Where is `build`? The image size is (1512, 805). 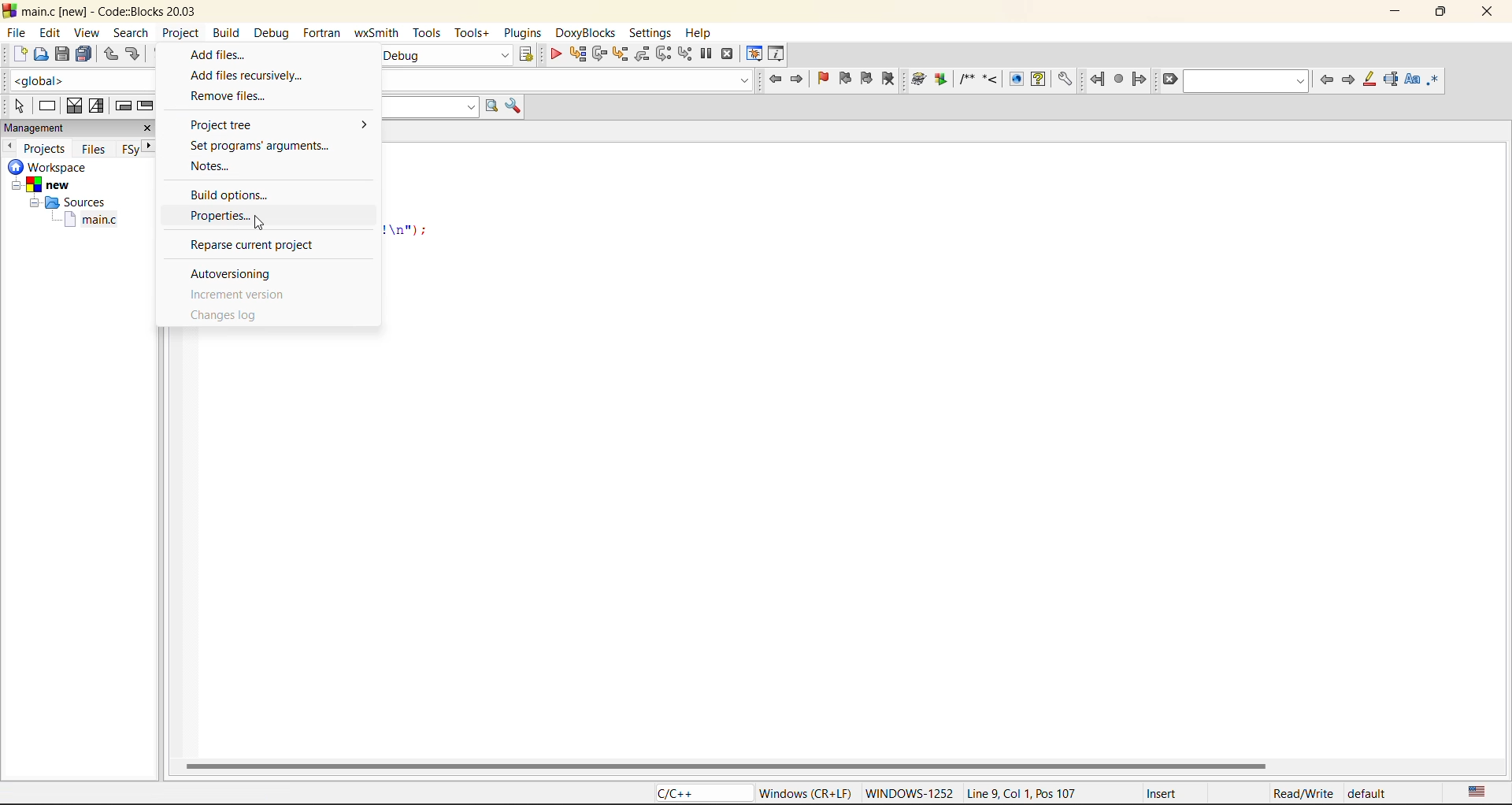
build is located at coordinates (226, 33).